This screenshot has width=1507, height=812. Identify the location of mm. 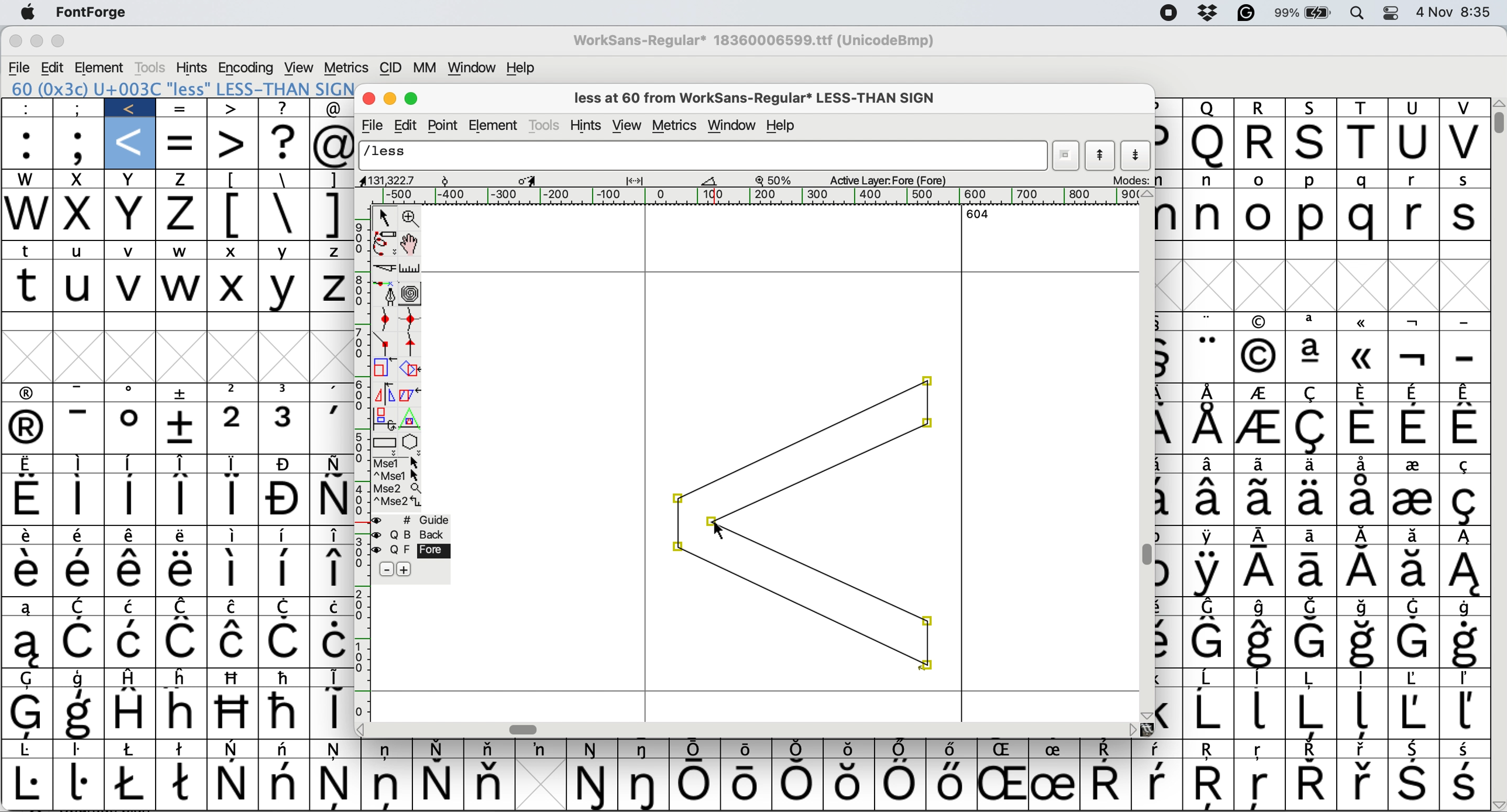
(426, 67).